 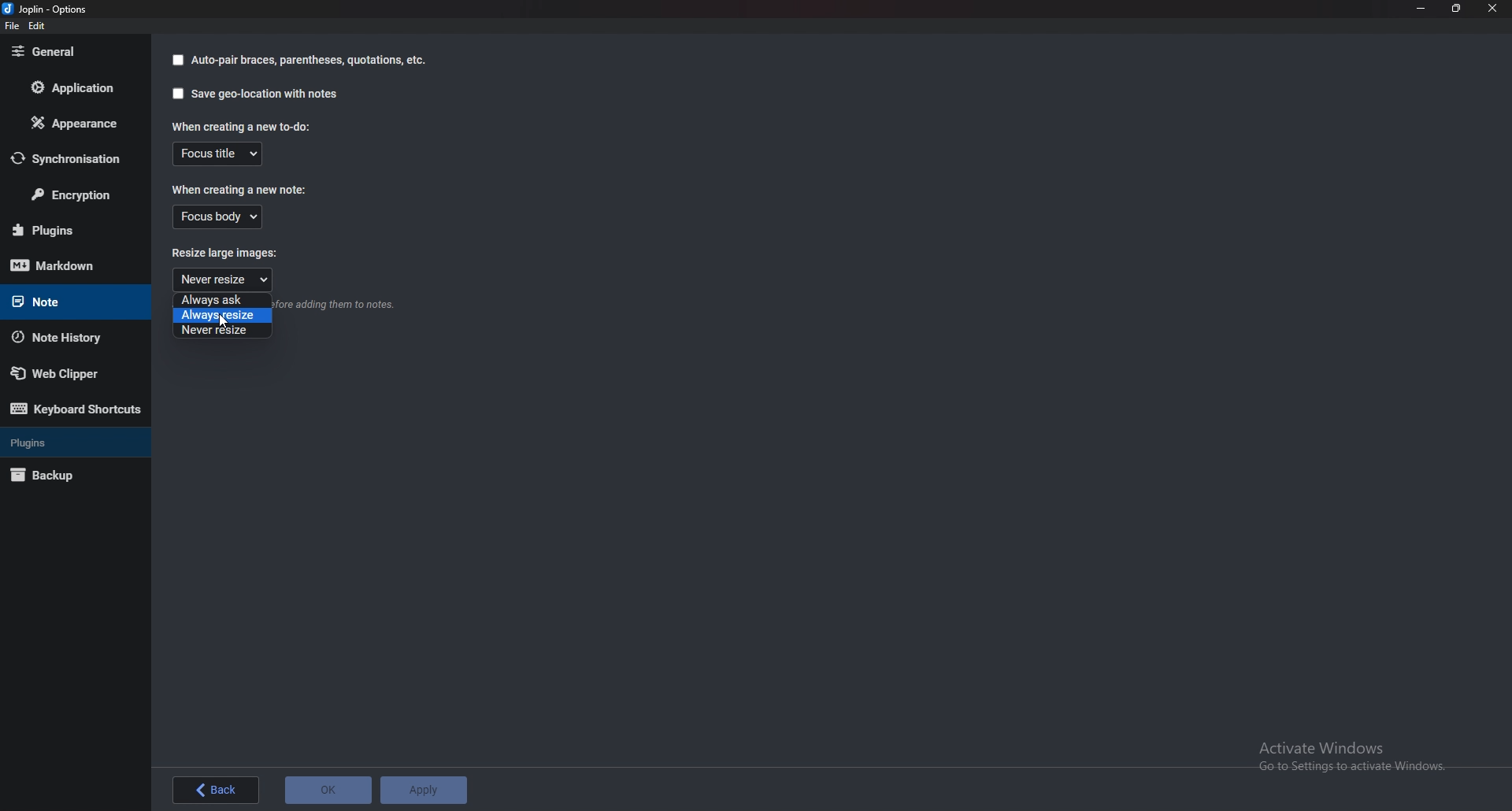 I want to click on back, so click(x=218, y=791).